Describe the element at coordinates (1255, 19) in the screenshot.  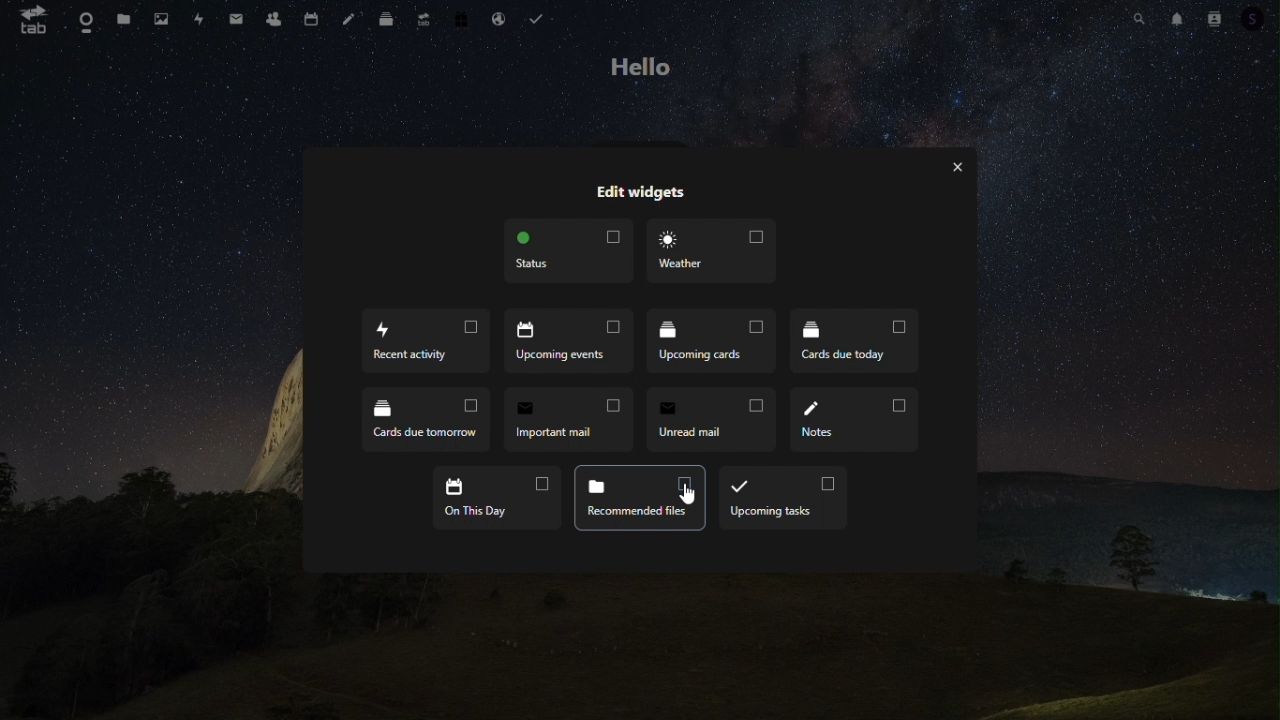
I see `Account icon` at that location.